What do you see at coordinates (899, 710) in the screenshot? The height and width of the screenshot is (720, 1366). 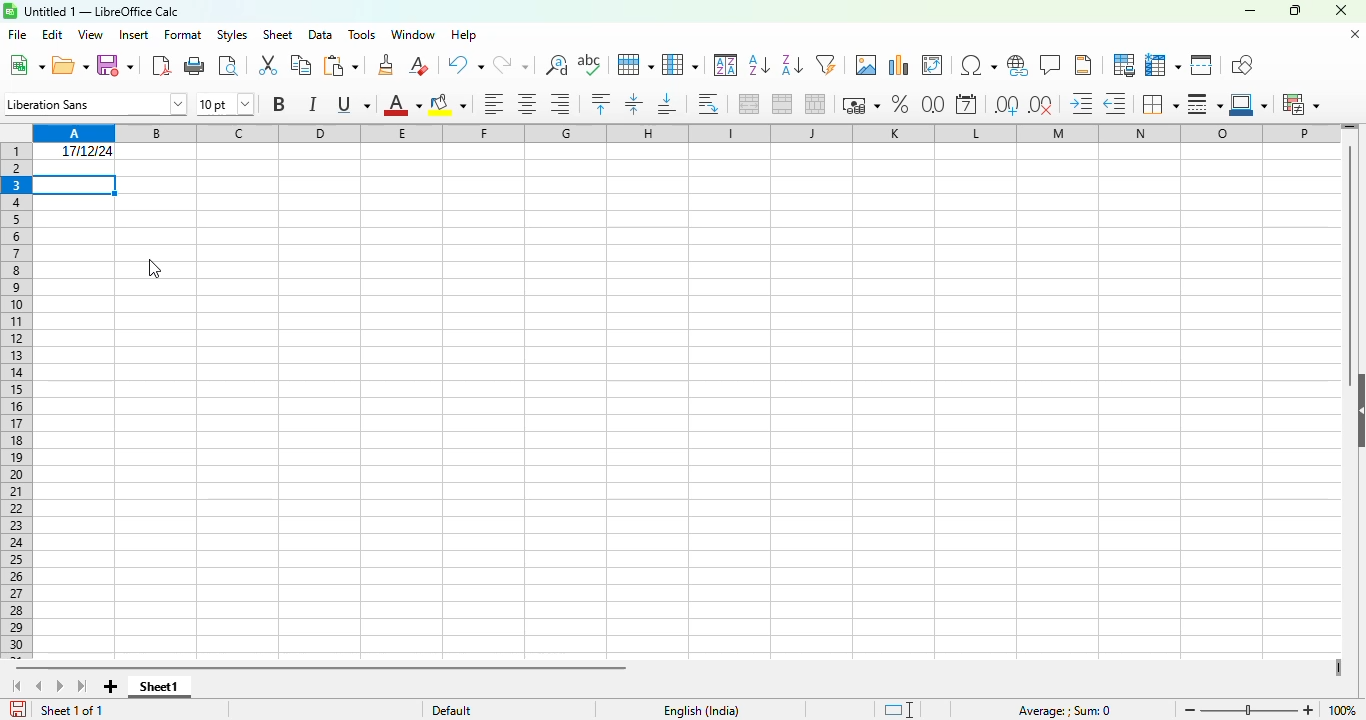 I see `standard selection` at bounding box center [899, 710].